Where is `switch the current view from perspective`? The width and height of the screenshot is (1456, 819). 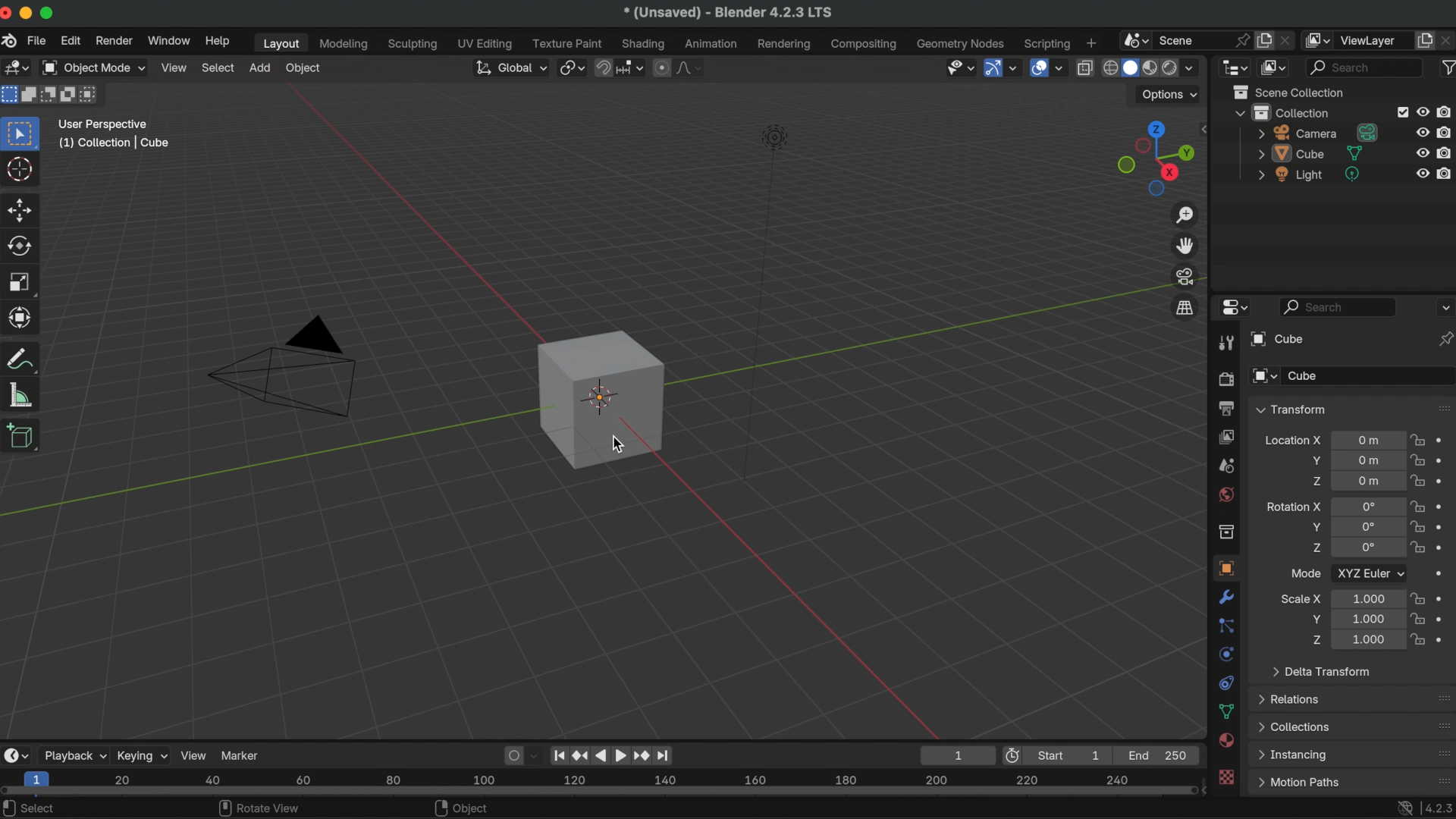
switch the current view from perspective is located at coordinates (1184, 307).